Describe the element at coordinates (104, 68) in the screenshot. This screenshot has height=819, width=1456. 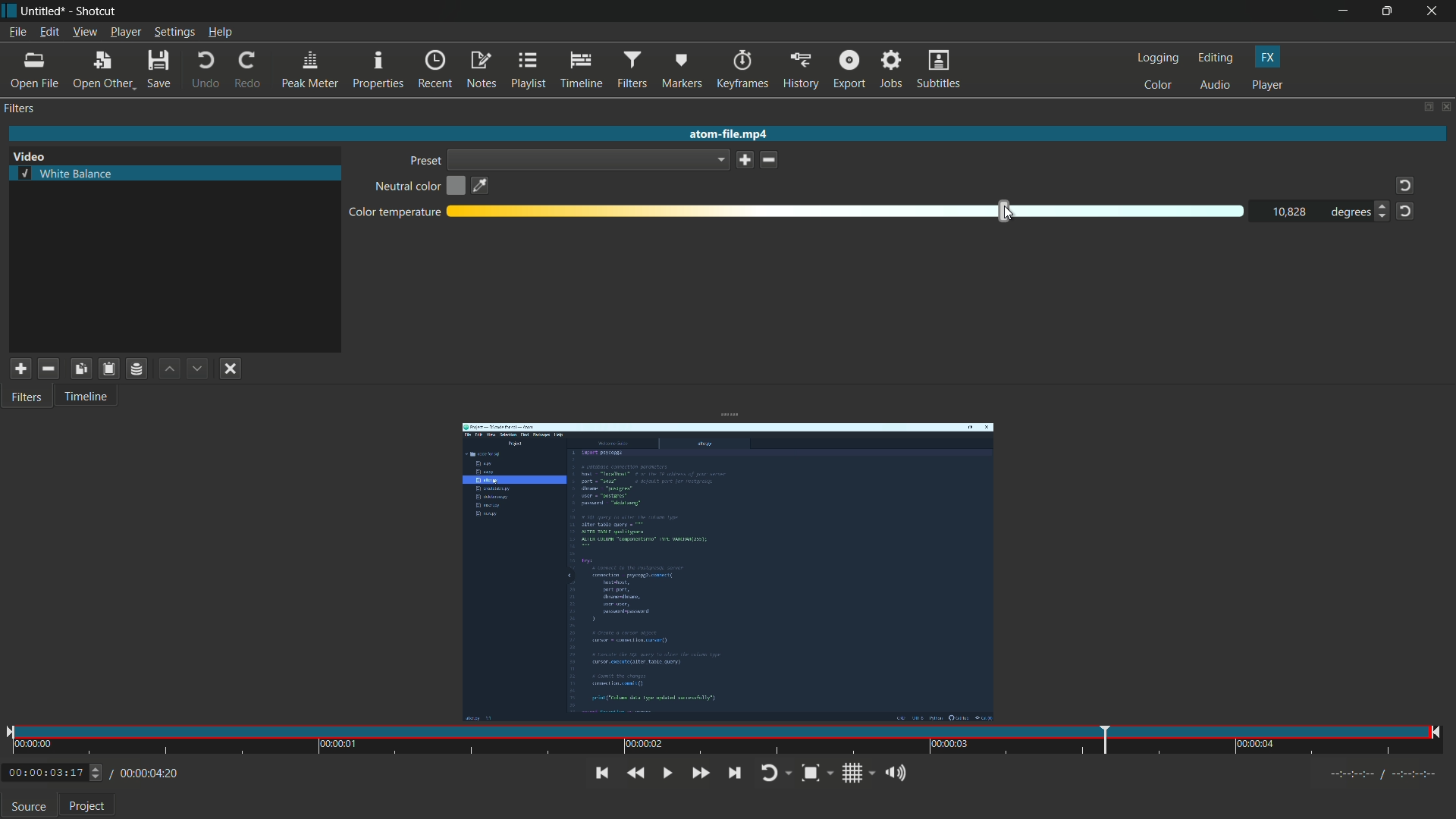
I see `open other` at that location.